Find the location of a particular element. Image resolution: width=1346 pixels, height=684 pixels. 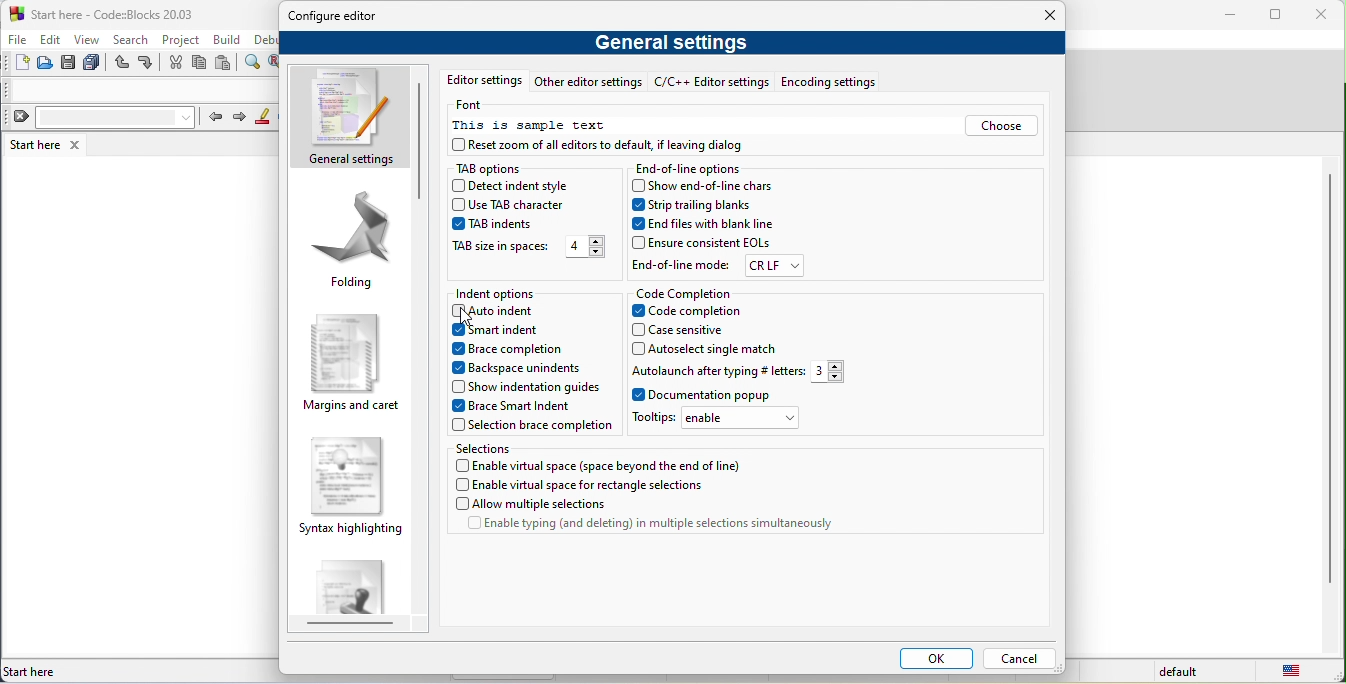

clear is located at coordinates (99, 119).